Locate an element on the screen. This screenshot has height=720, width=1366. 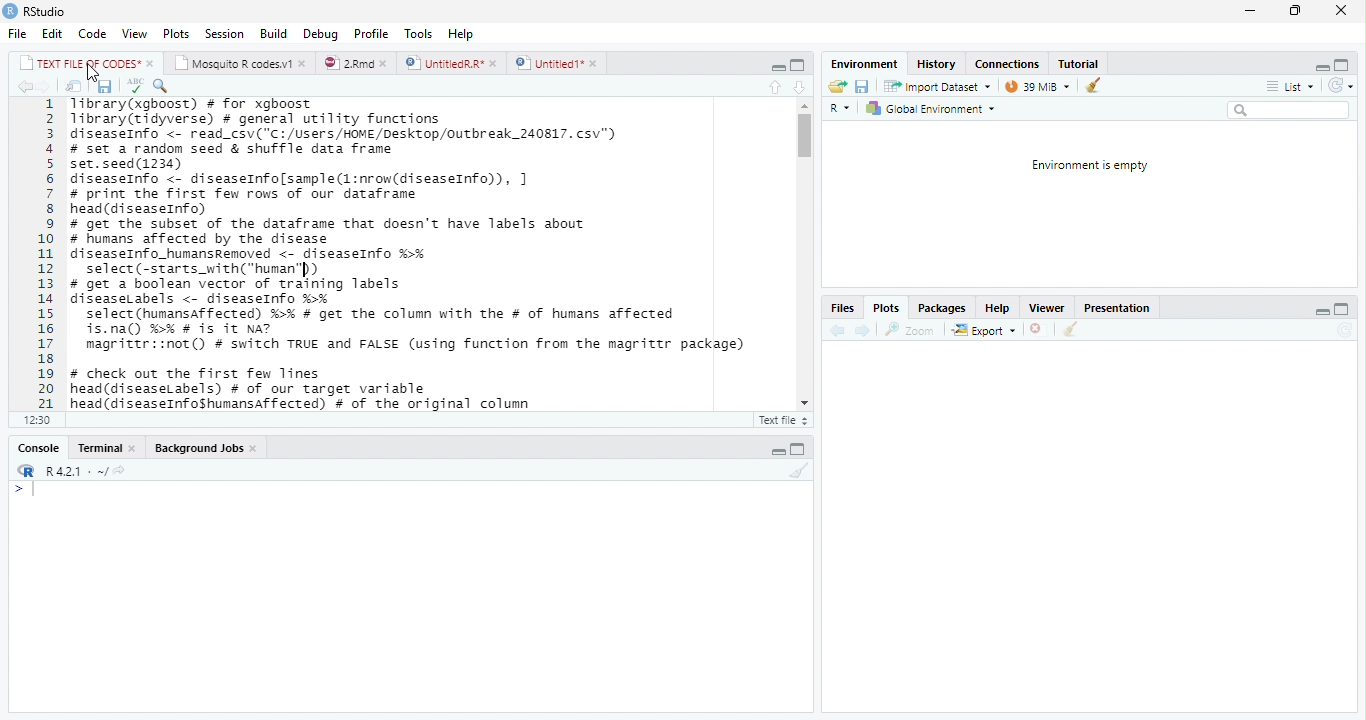
Console is located at coordinates (39, 447).